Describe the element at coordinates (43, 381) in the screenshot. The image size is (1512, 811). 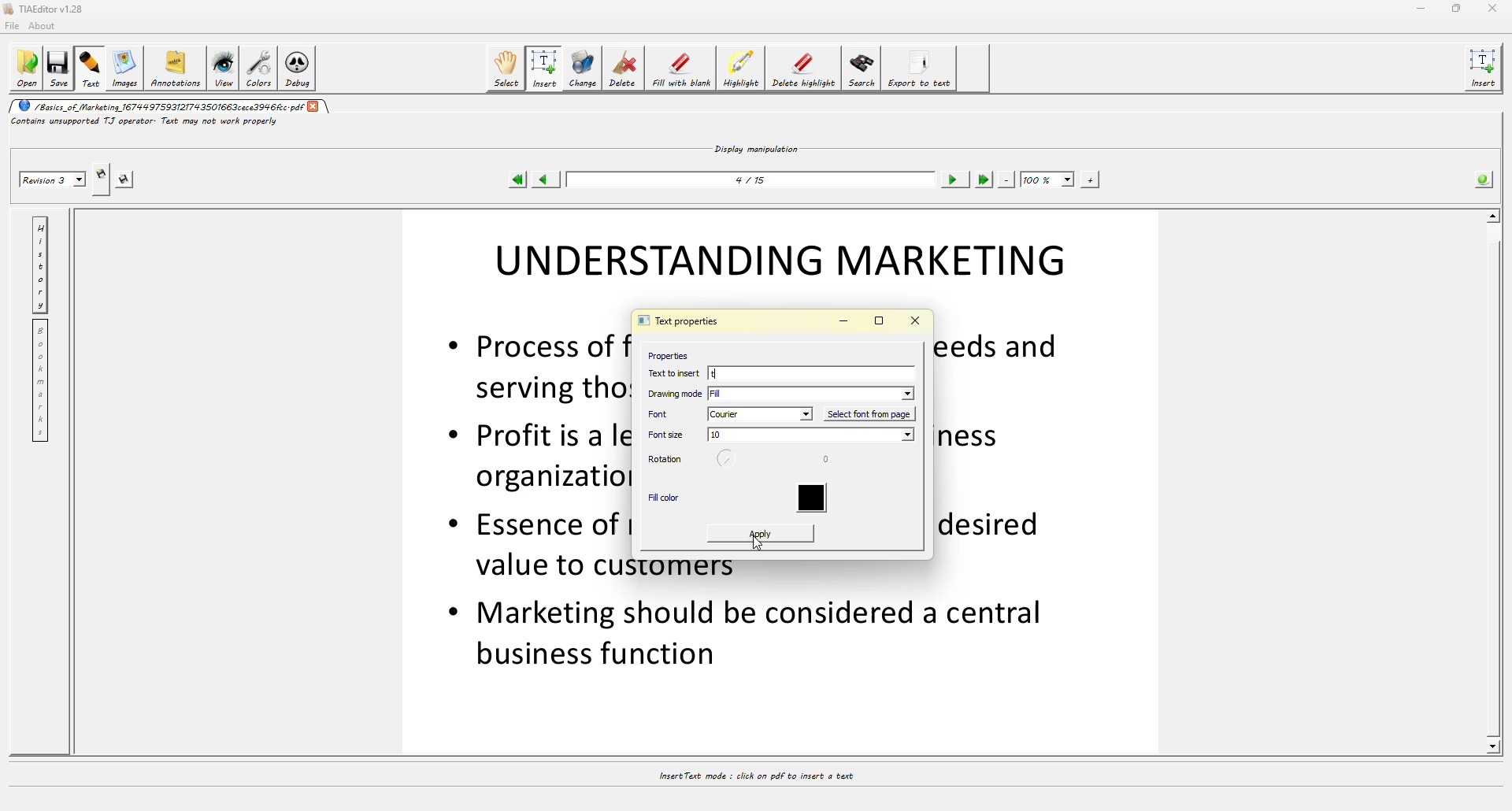
I see `bookmarks` at that location.